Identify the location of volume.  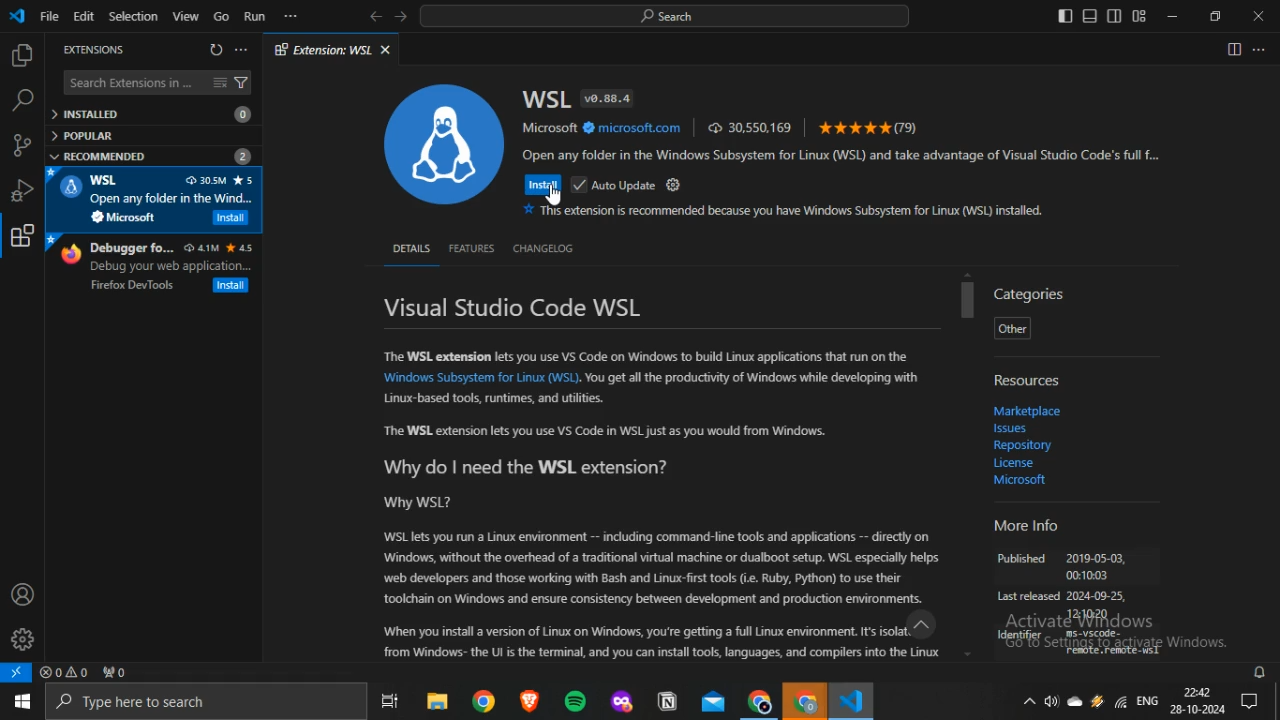
(1051, 701).